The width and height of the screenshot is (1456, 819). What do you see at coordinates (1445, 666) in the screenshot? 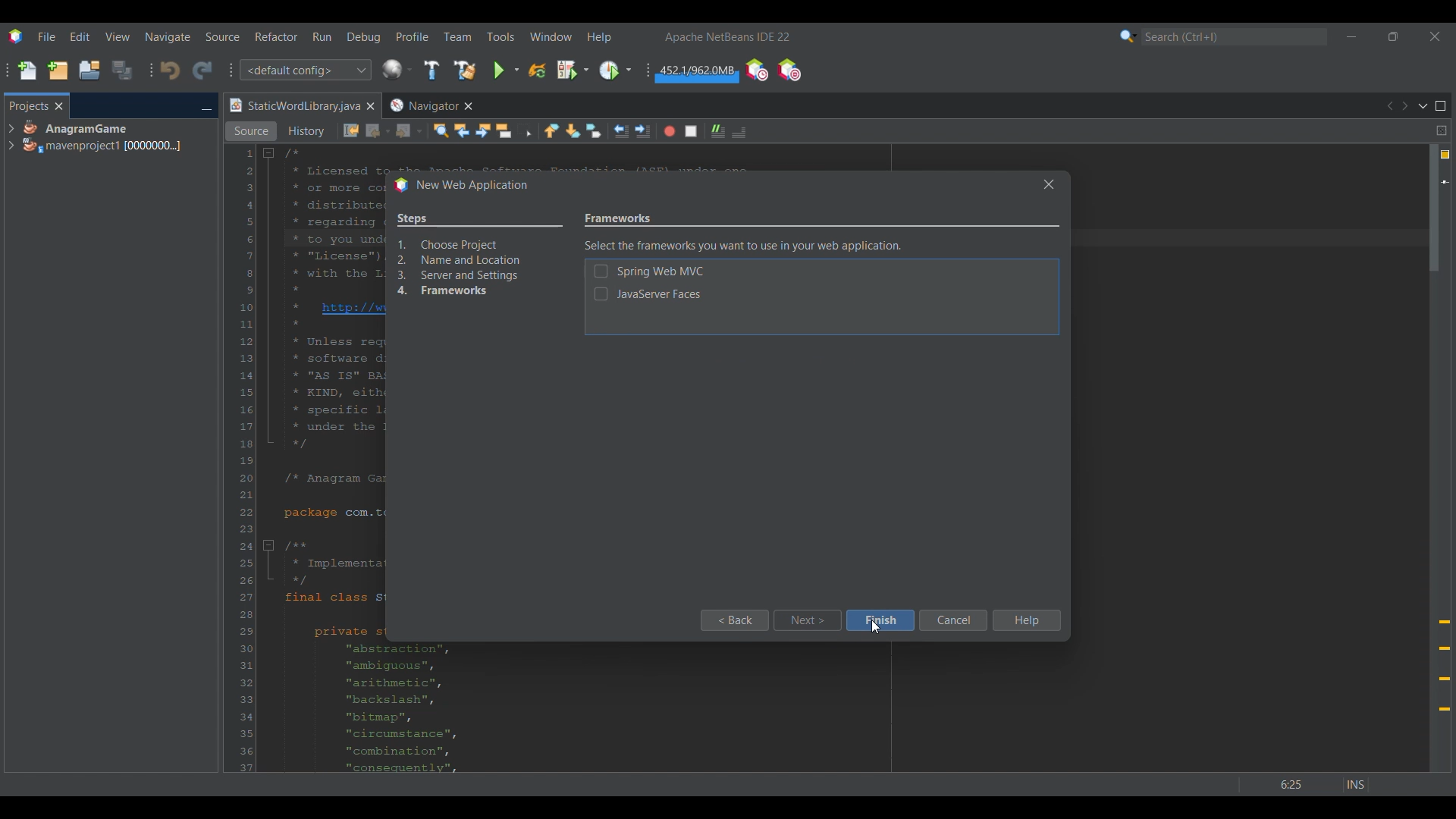
I see `Add @override annotation` at bounding box center [1445, 666].